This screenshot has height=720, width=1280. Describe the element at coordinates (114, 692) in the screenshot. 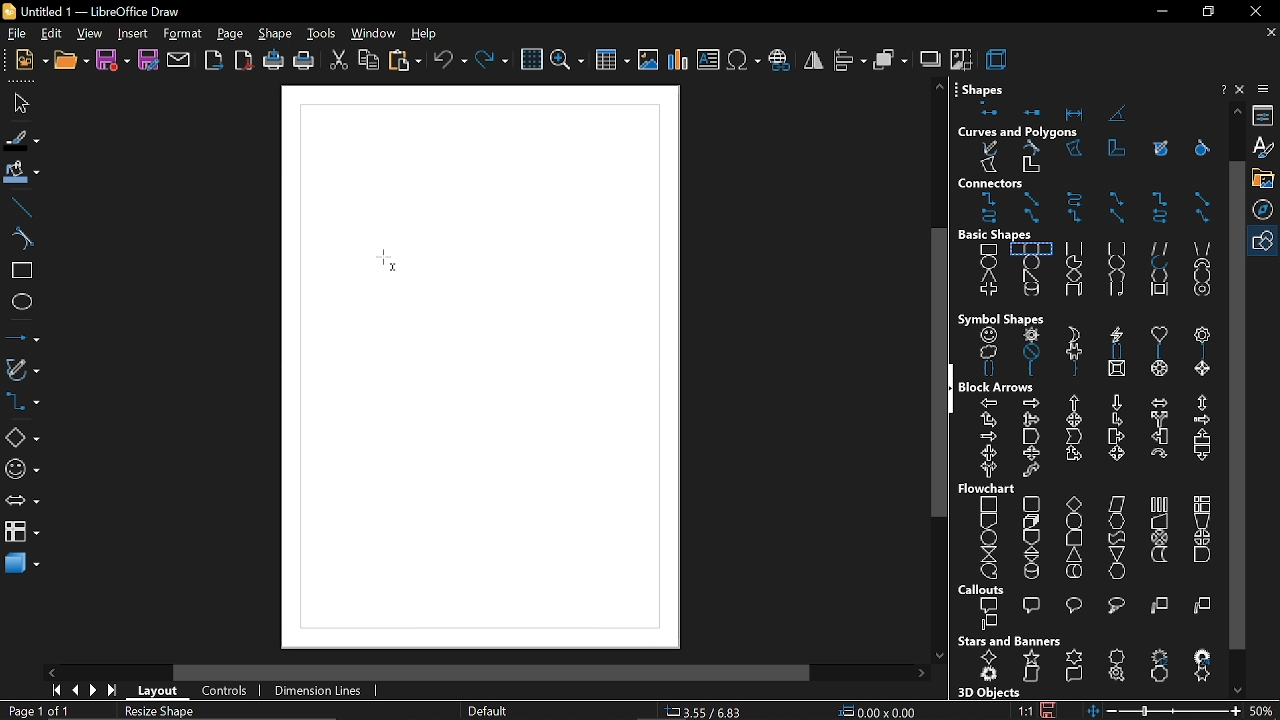

I see `go to last page` at that location.